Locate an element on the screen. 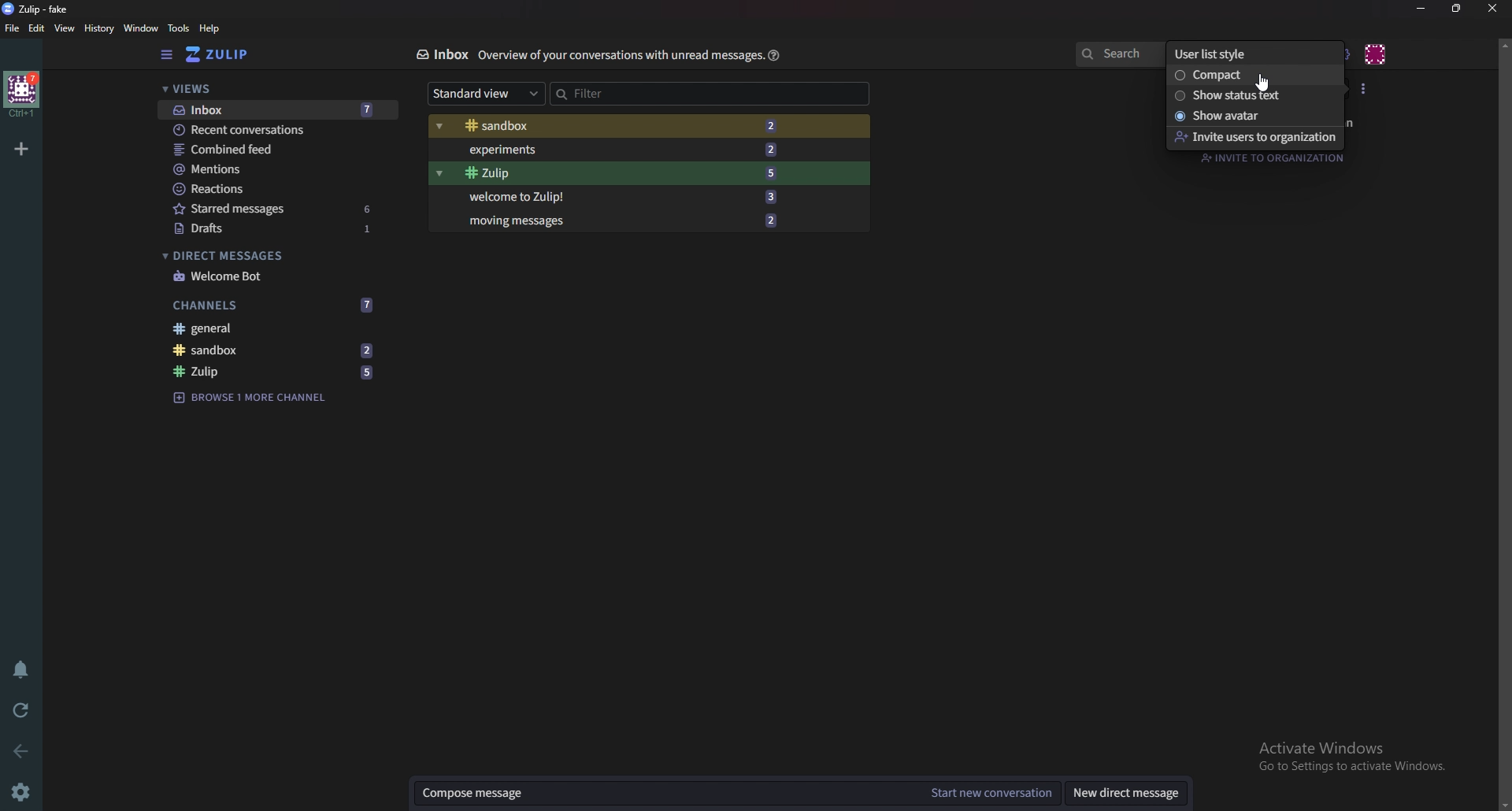 This screenshot has width=1512, height=811. Zulip is located at coordinates (630, 172).